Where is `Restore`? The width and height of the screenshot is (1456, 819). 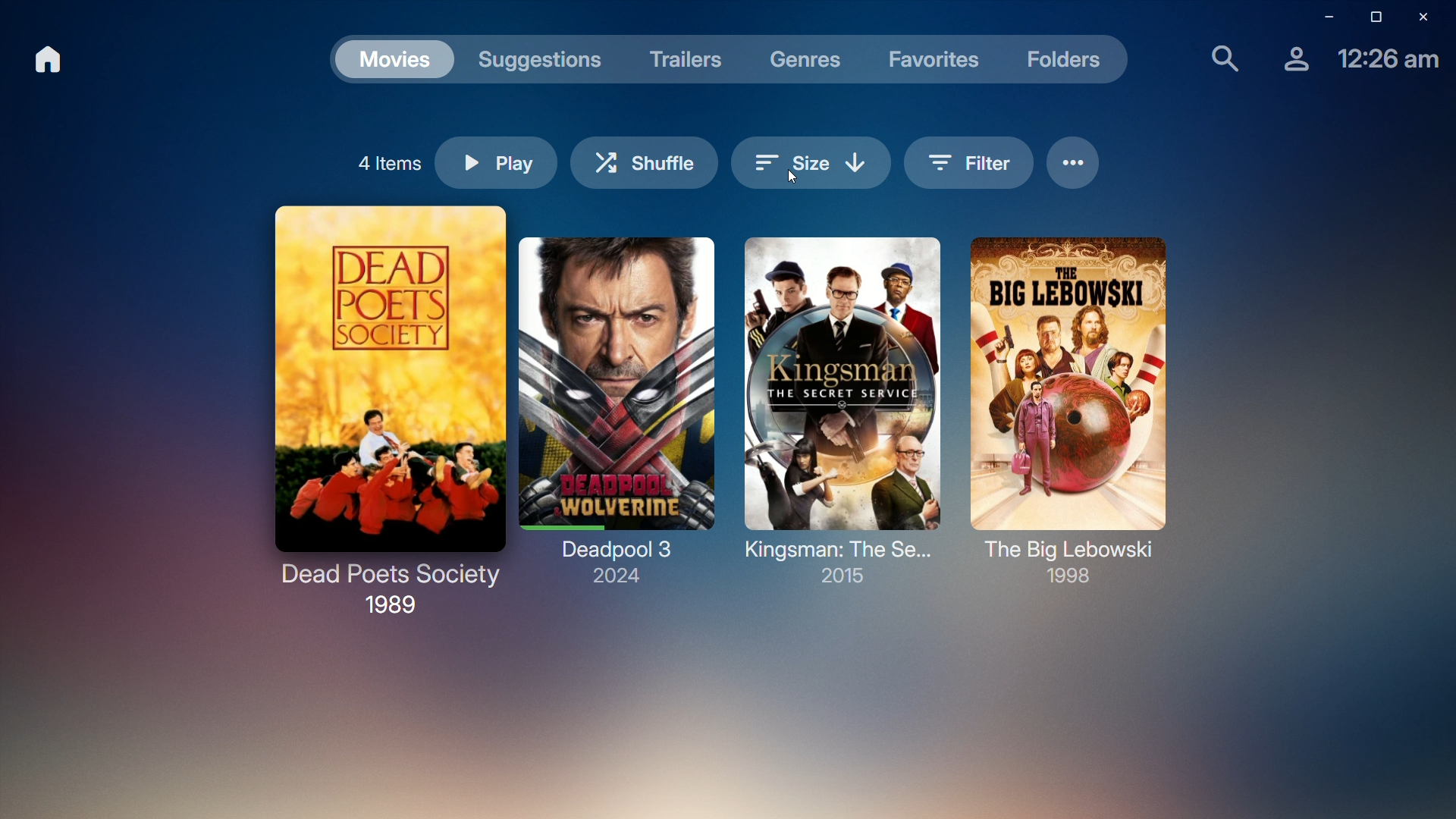 Restore is located at coordinates (1370, 17).